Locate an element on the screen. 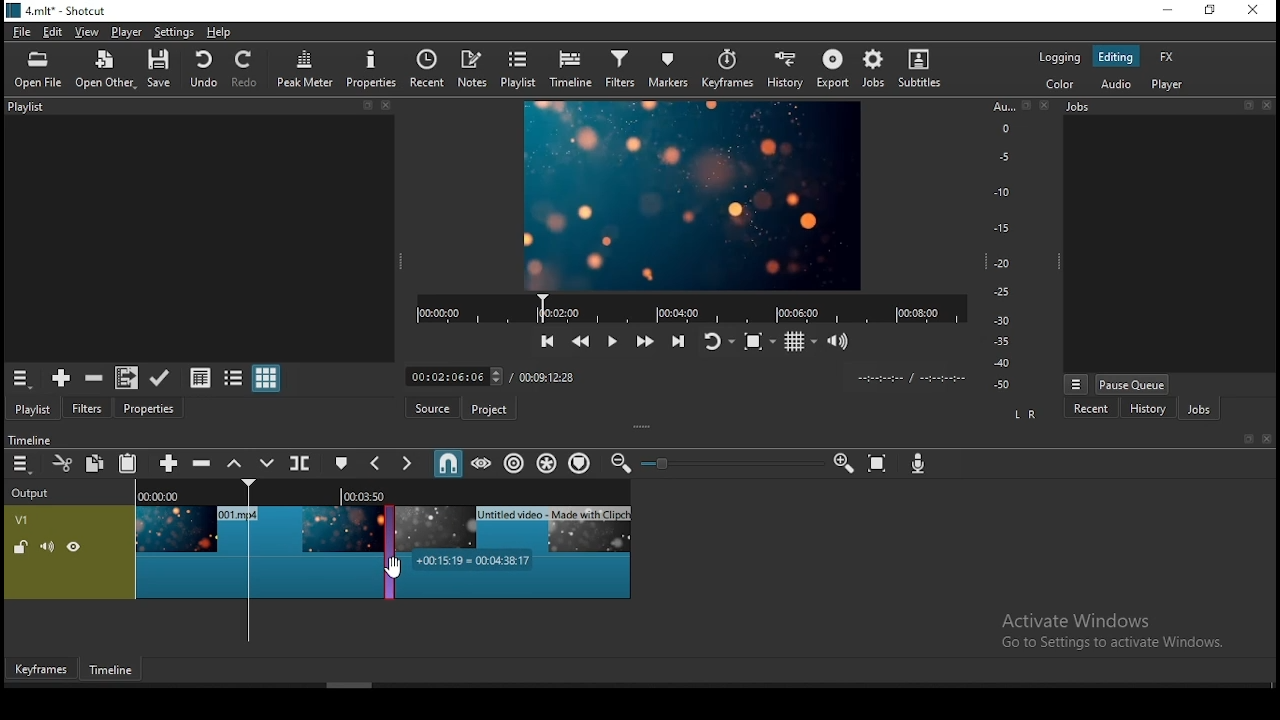 This screenshot has width=1280, height=720. total time is located at coordinates (549, 378).